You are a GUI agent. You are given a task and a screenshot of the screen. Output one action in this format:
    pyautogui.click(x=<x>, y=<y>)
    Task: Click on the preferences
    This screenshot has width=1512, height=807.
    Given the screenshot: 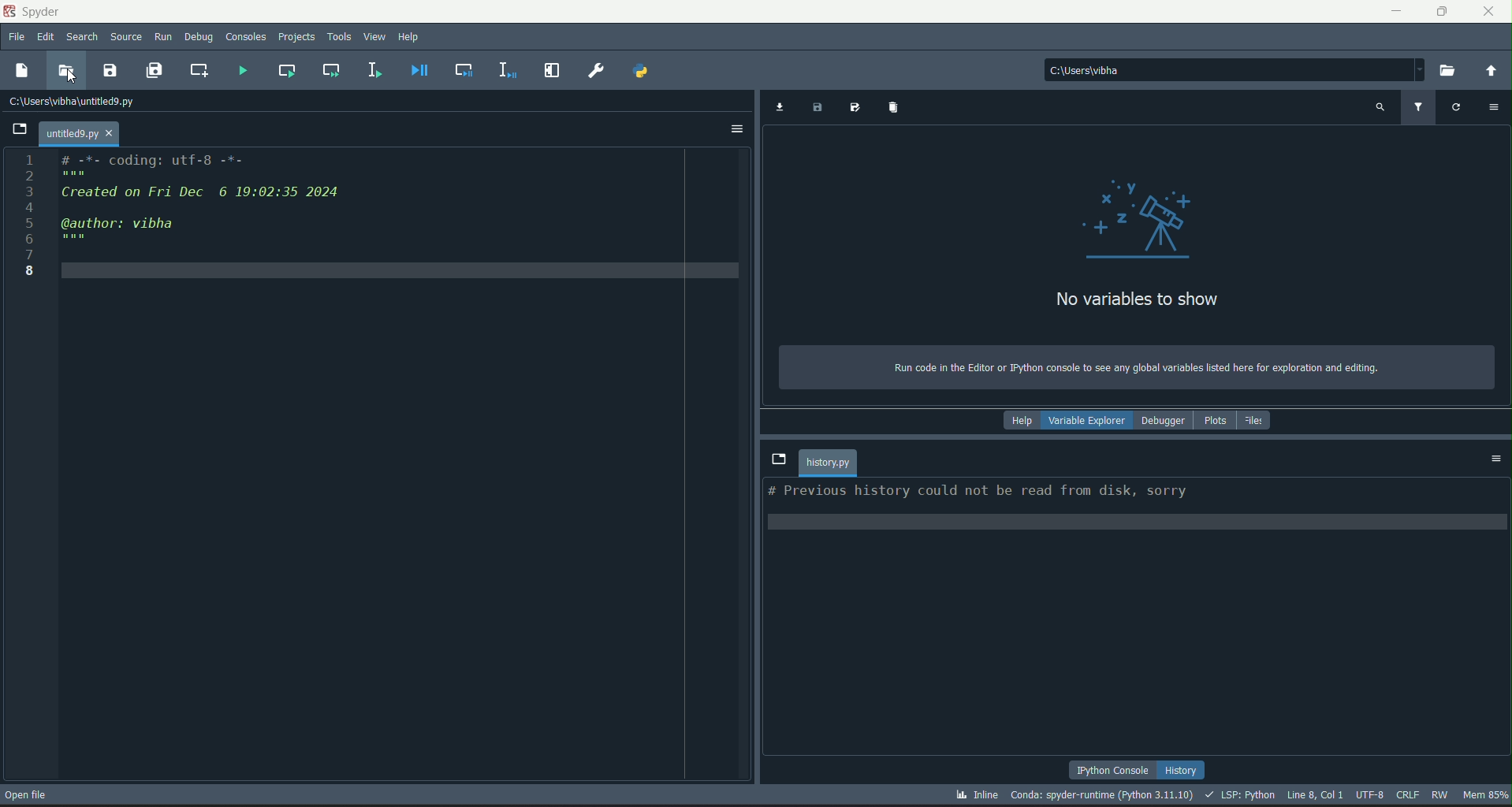 What is the action you would take?
    pyautogui.click(x=598, y=72)
    